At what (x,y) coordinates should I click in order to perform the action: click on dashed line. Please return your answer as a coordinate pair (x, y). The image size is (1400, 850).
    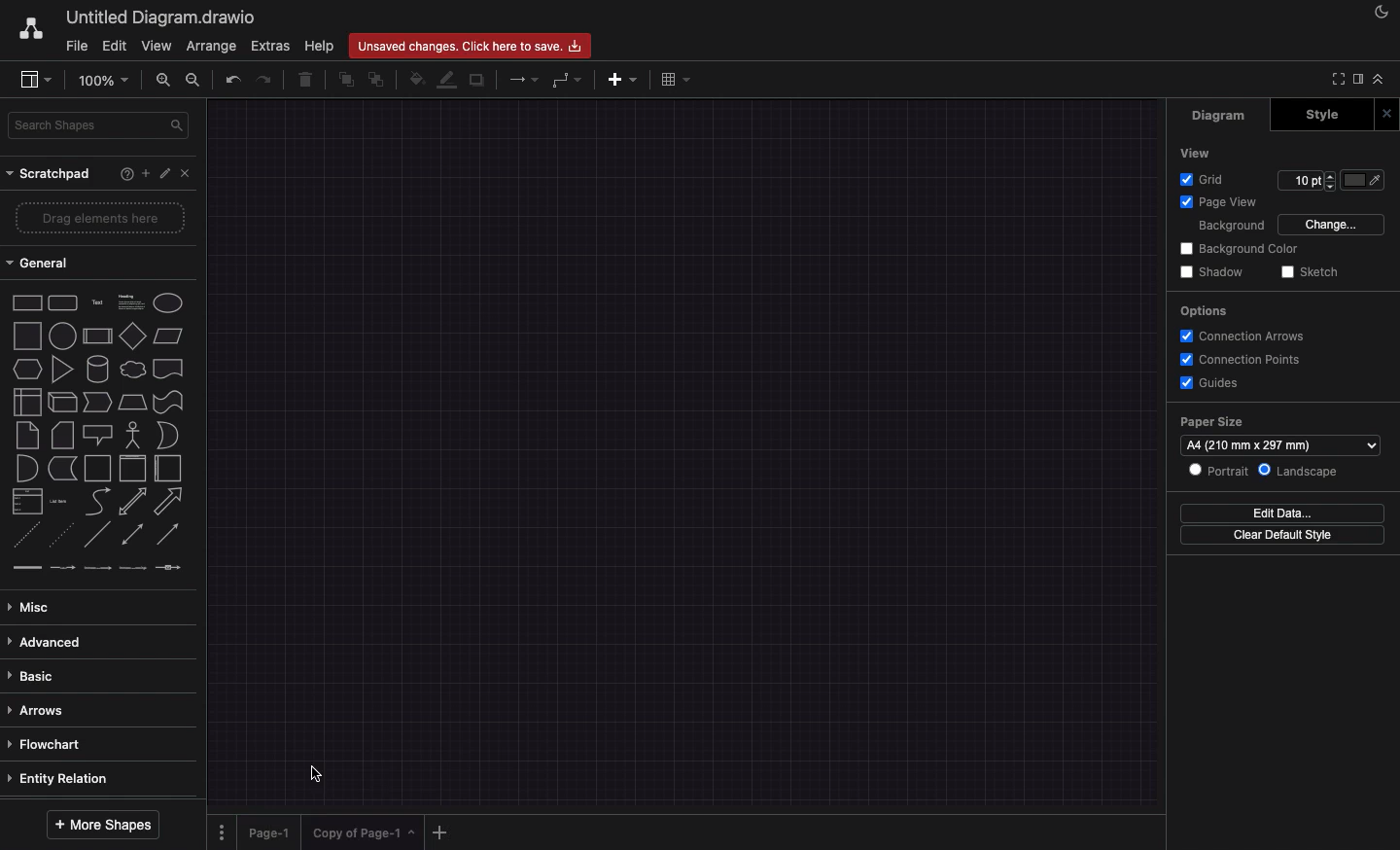
    Looking at the image, I should click on (25, 534).